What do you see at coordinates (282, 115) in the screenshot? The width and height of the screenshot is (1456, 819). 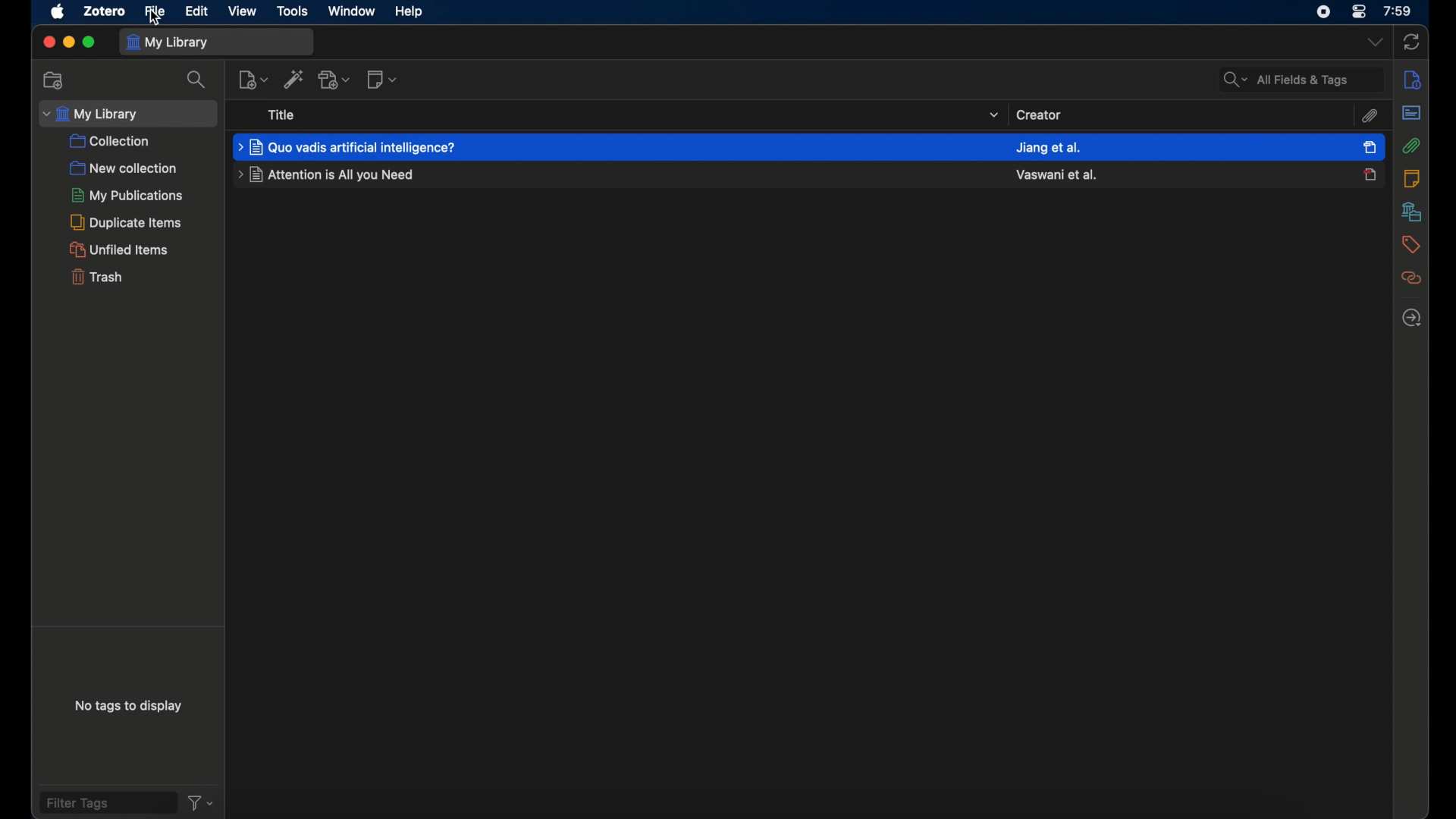 I see `title` at bounding box center [282, 115].